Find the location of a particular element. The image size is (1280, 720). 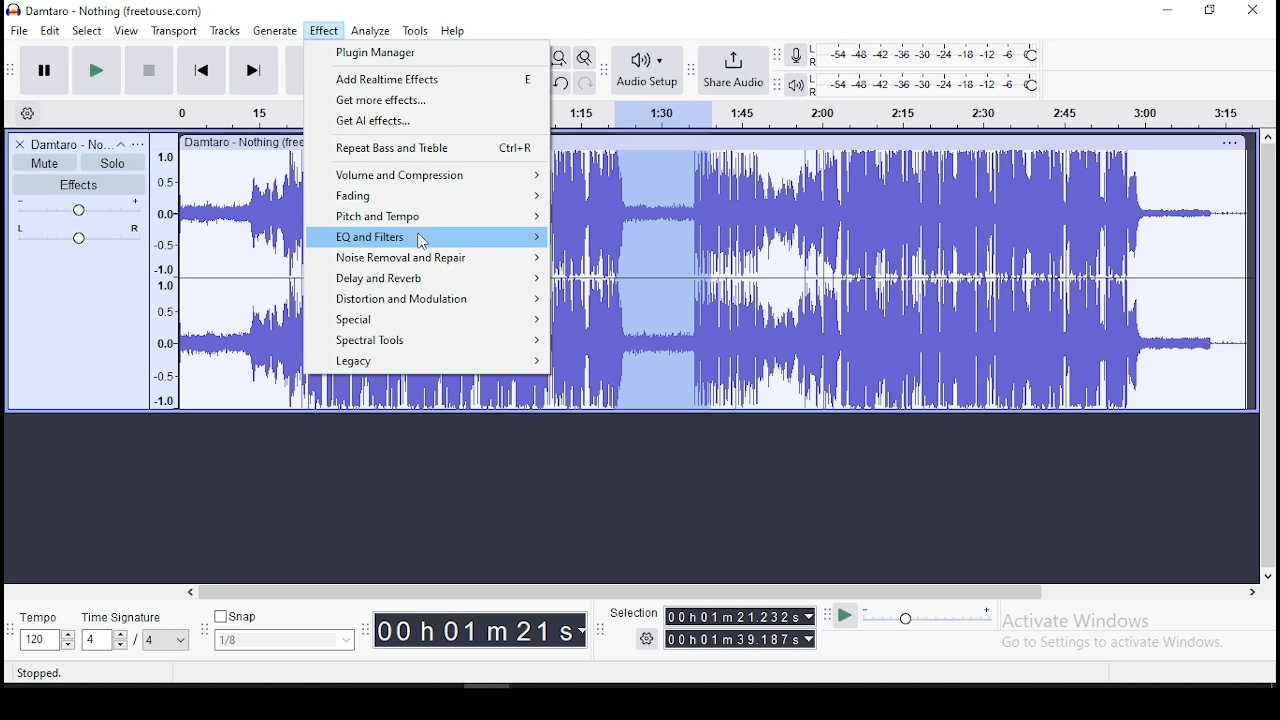

view is located at coordinates (126, 31).